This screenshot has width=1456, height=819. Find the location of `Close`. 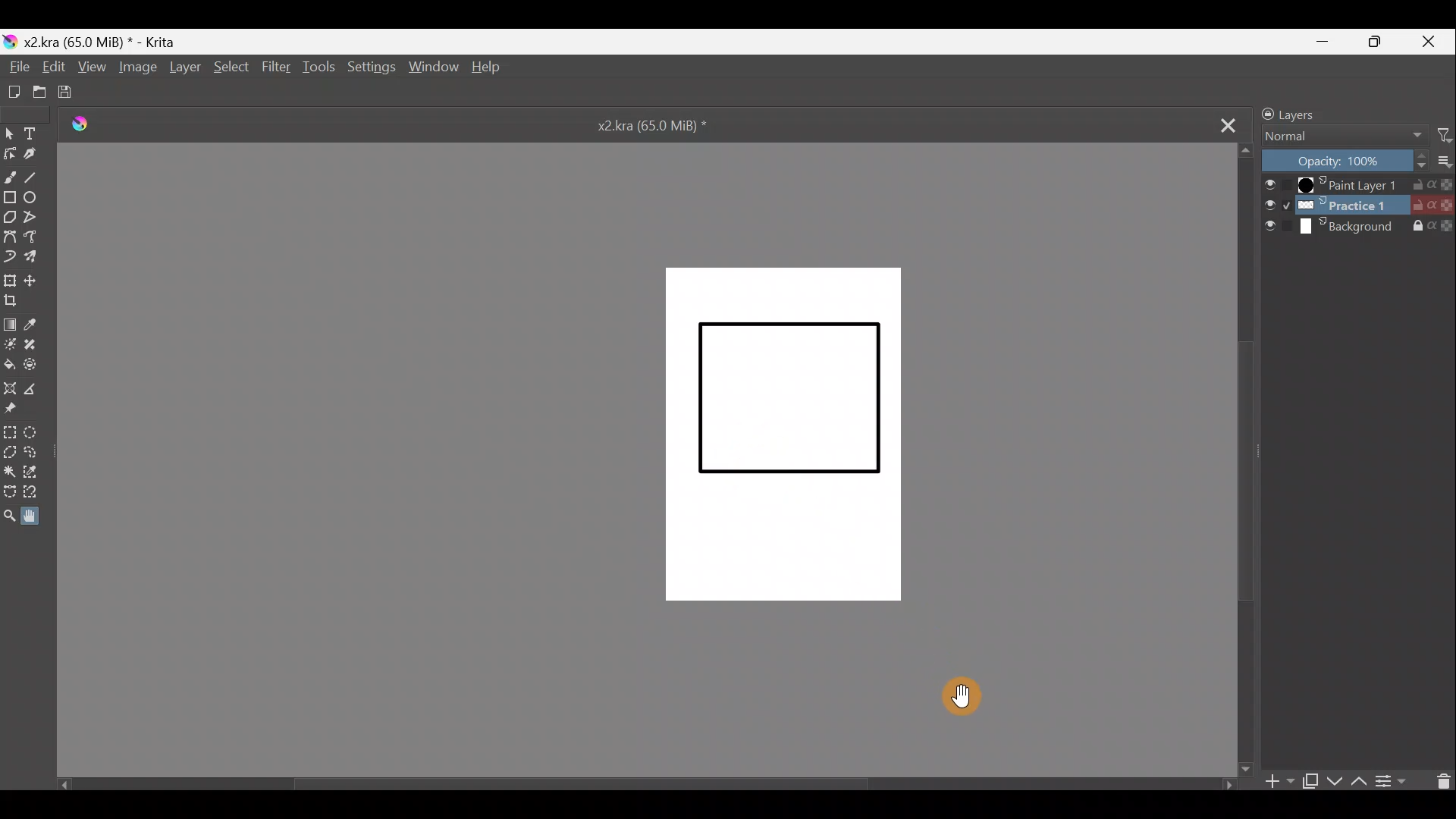

Close is located at coordinates (1429, 42).